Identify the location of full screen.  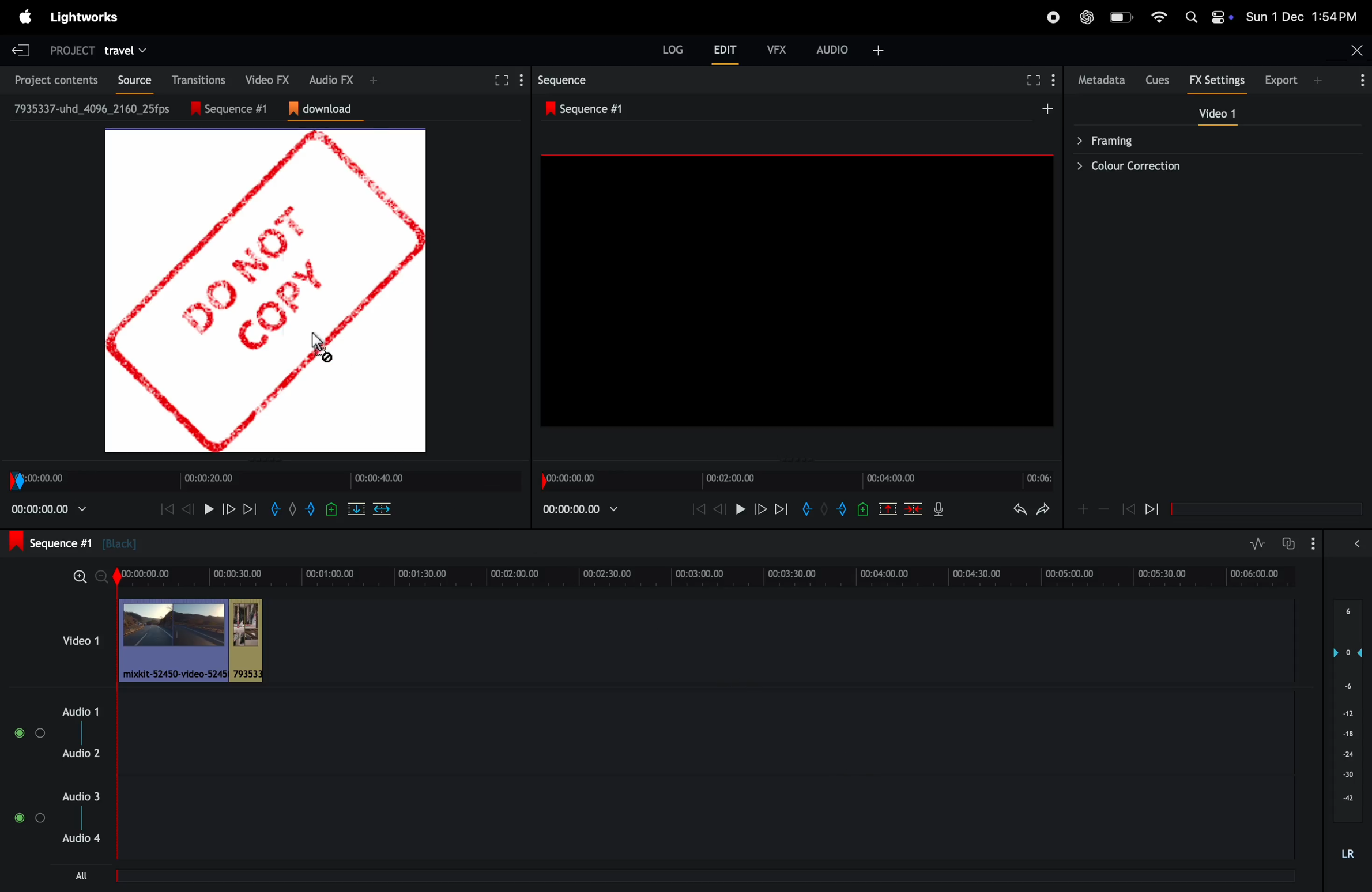
(499, 81).